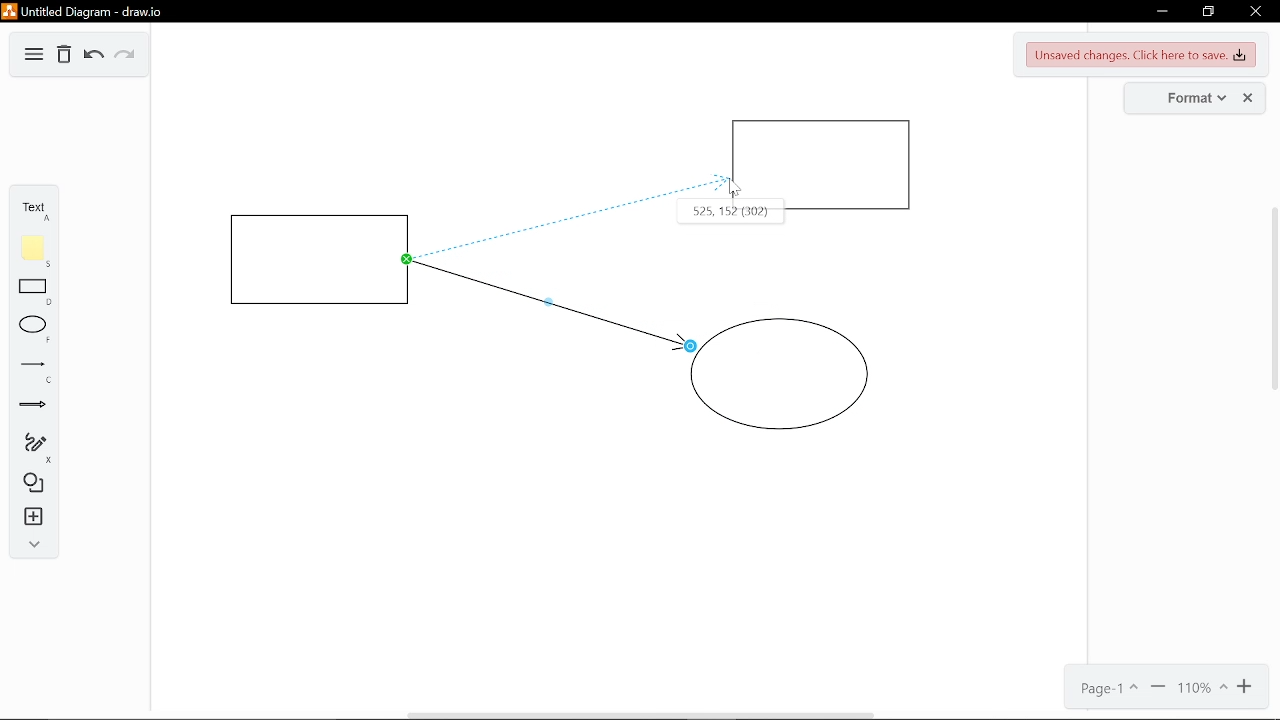 The height and width of the screenshot is (720, 1280). I want to click on Co-ordinates , so click(699, 214).